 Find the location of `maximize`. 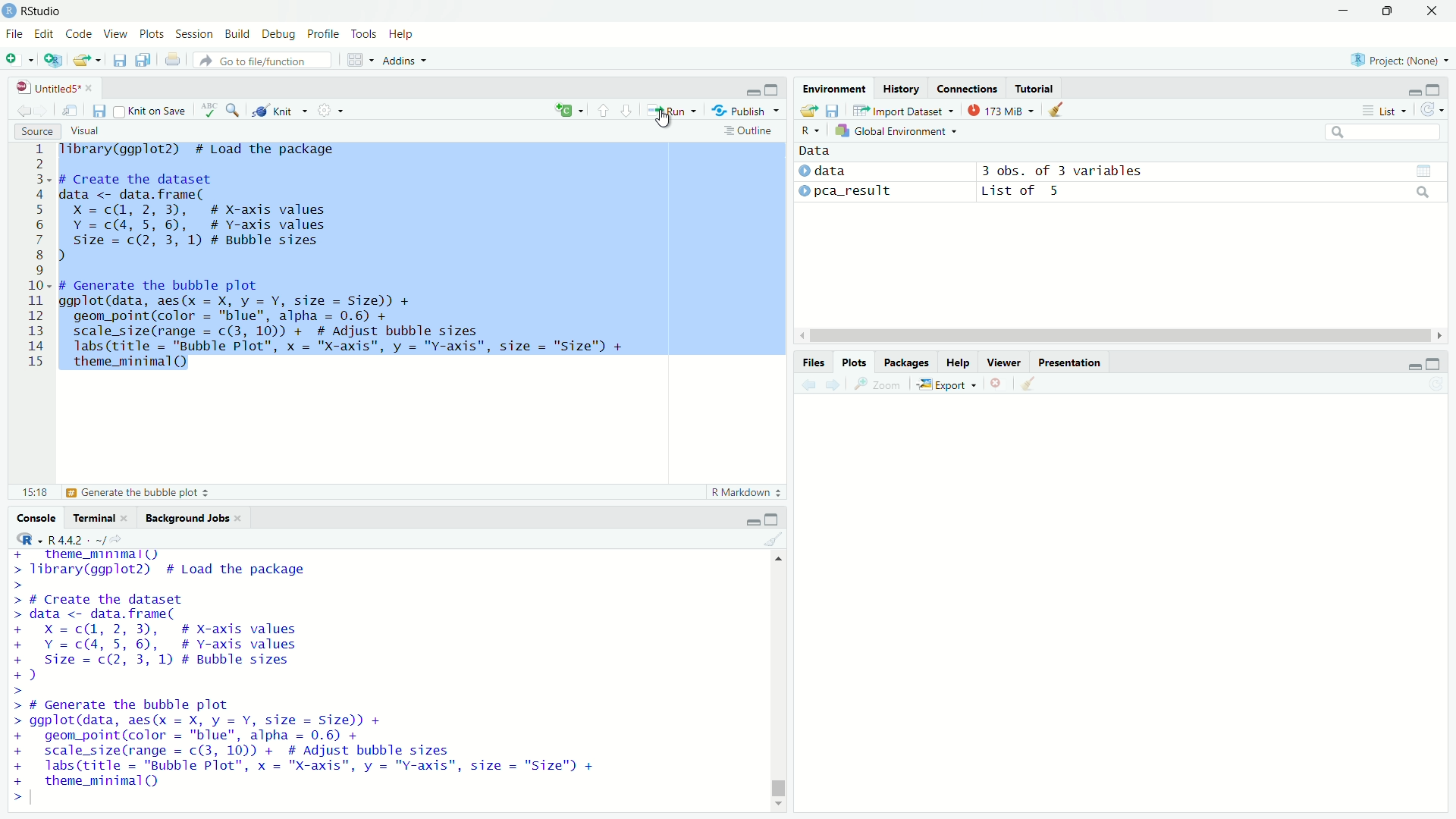

maximize is located at coordinates (1385, 11).